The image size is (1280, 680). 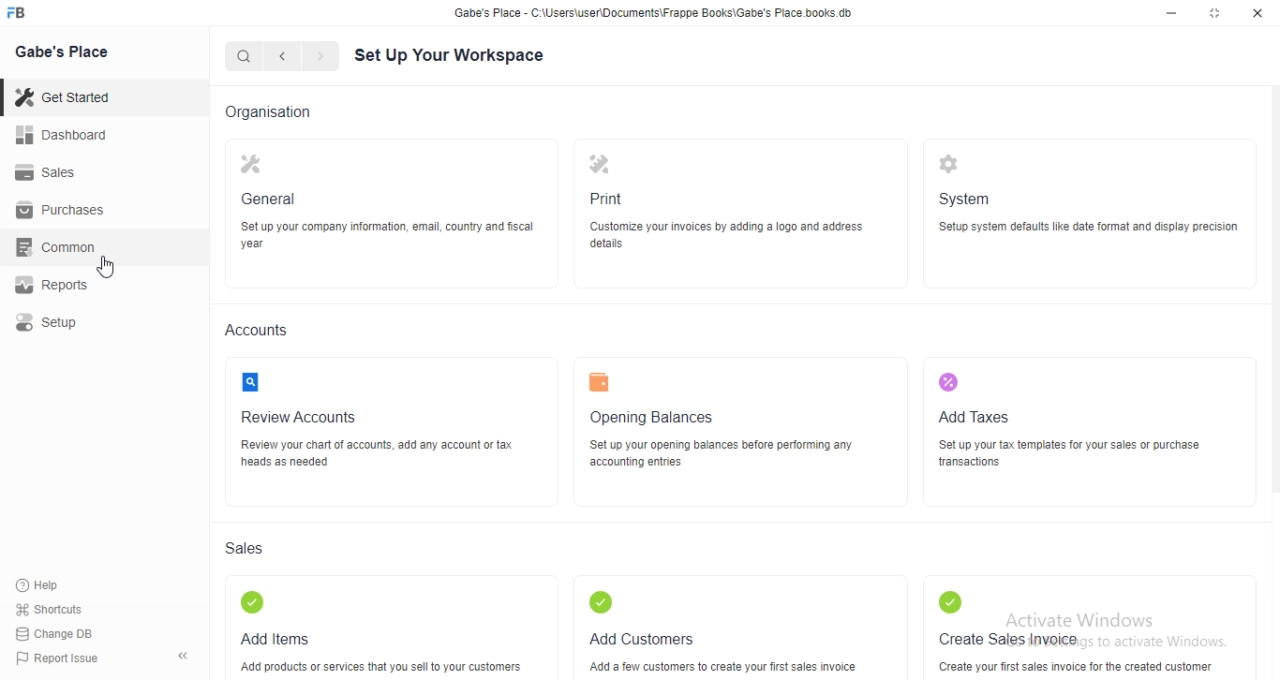 What do you see at coordinates (107, 266) in the screenshot?
I see `cursor` at bounding box center [107, 266].